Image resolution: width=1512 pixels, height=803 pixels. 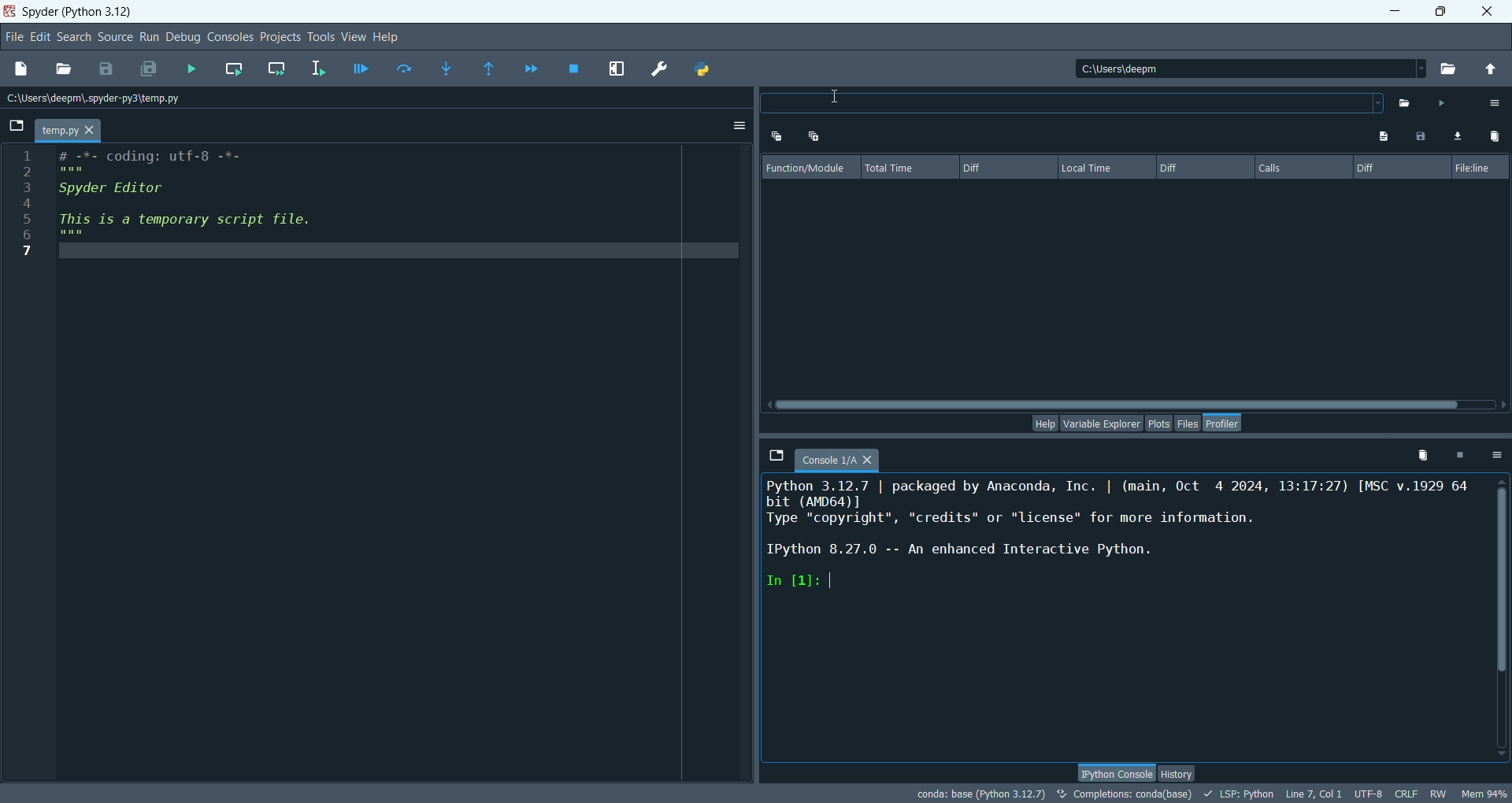 What do you see at coordinates (230, 37) in the screenshot?
I see `consoles` at bounding box center [230, 37].